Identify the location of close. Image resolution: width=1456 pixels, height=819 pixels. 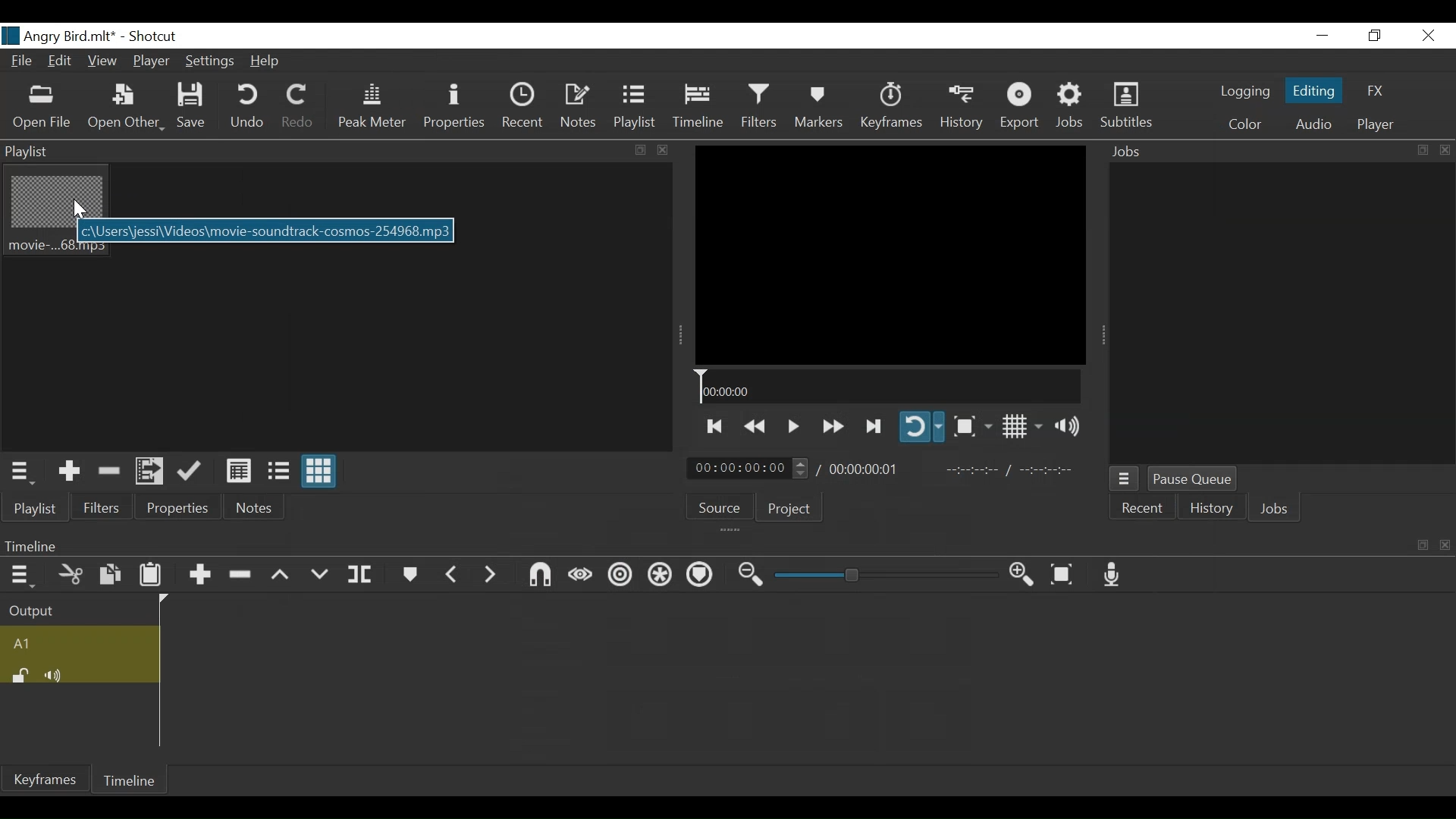
(1442, 149).